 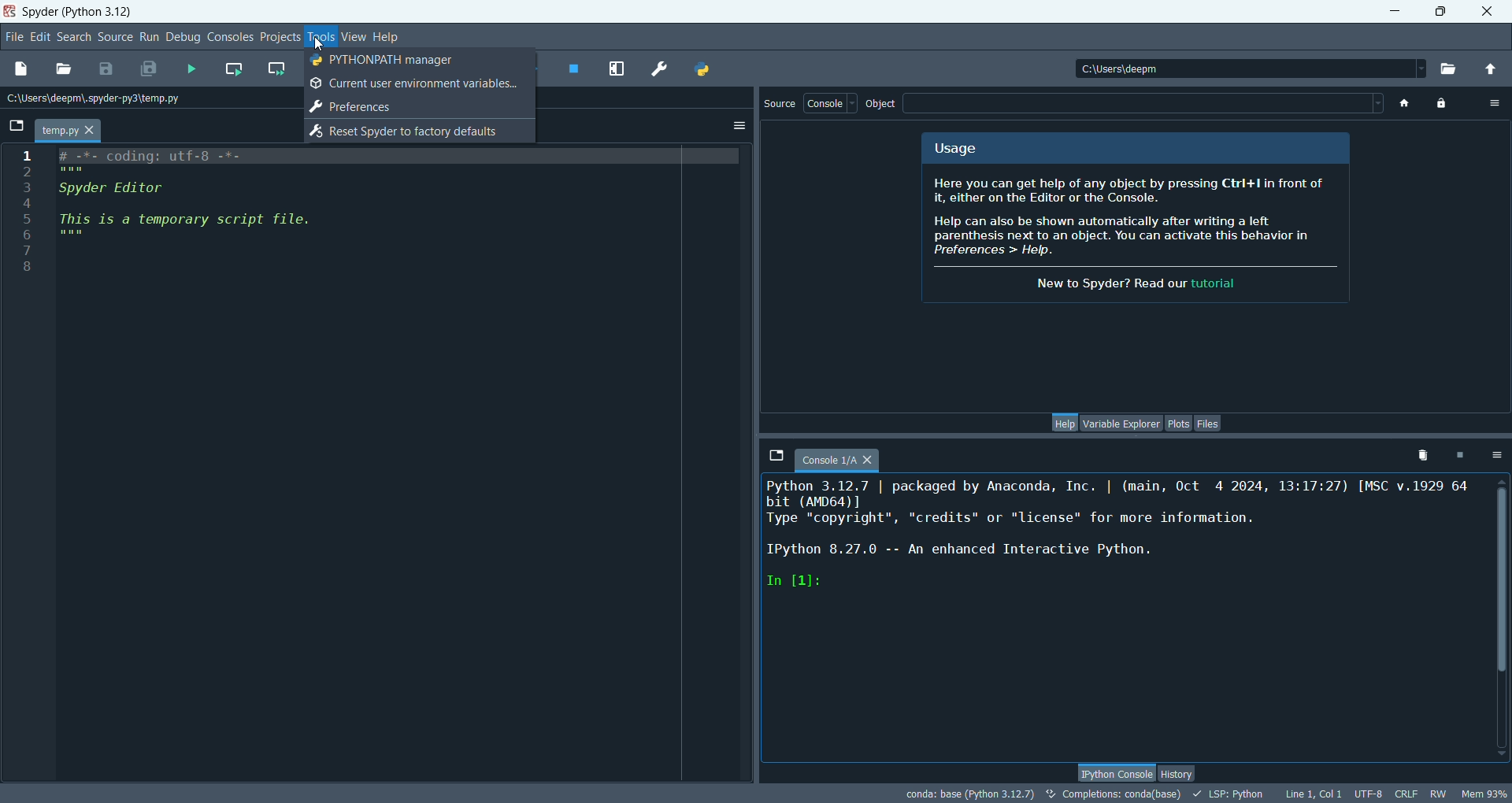 What do you see at coordinates (387, 62) in the screenshot?
I see `PYTHONPATH manager` at bounding box center [387, 62].